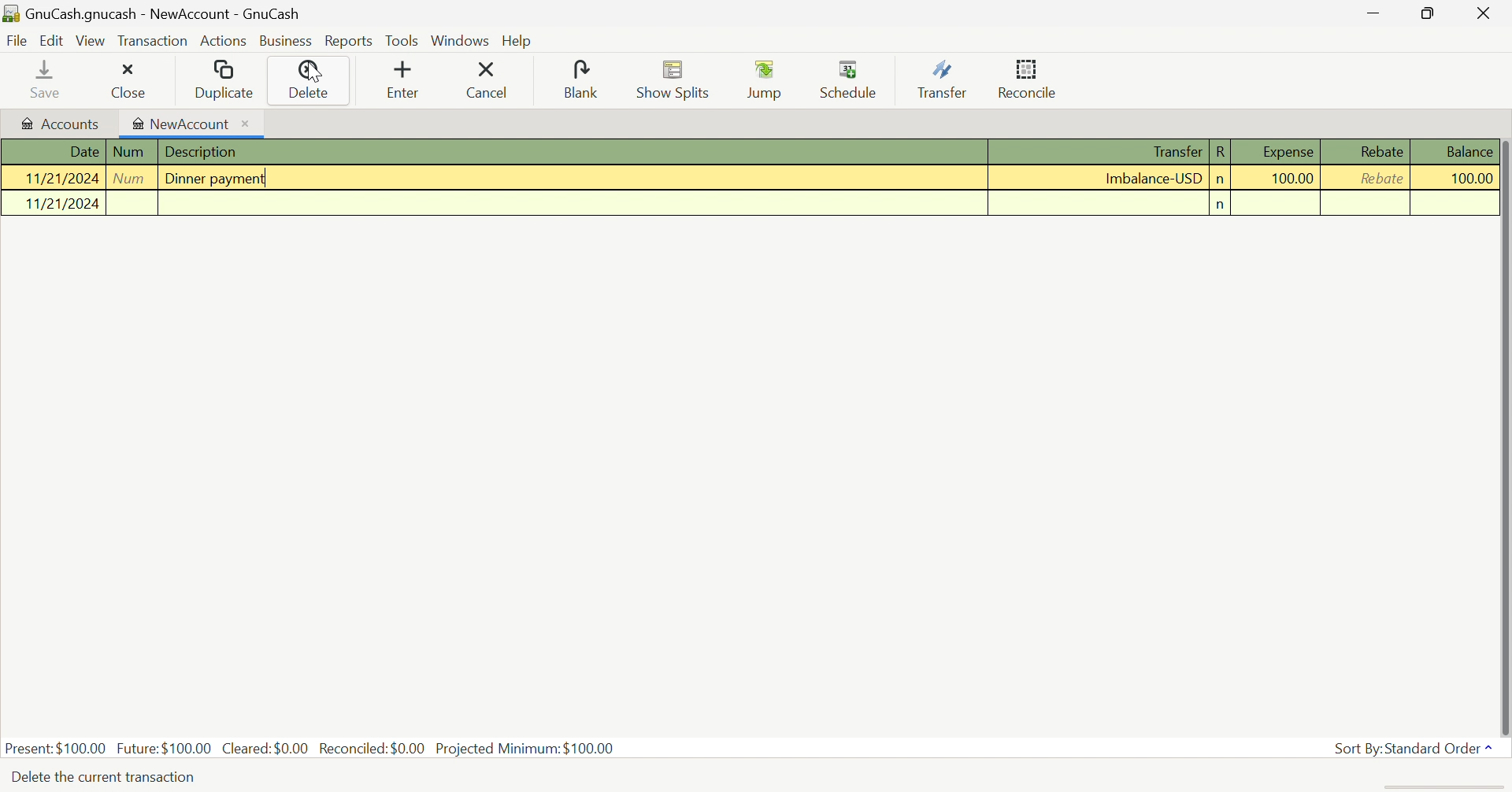 This screenshot has width=1512, height=792. I want to click on Balance, so click(1466, 152).